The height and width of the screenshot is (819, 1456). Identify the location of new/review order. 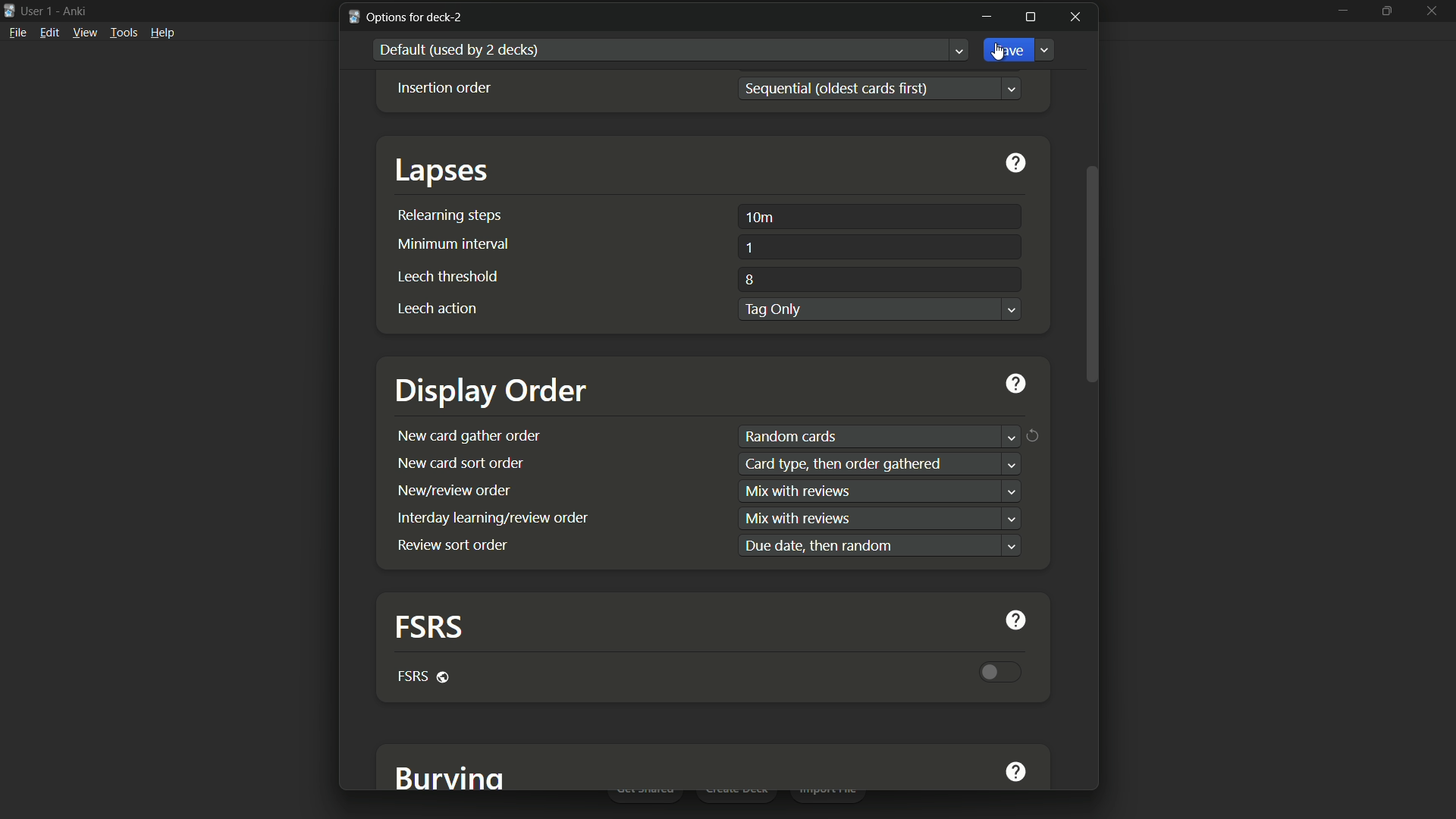
(453, 489).